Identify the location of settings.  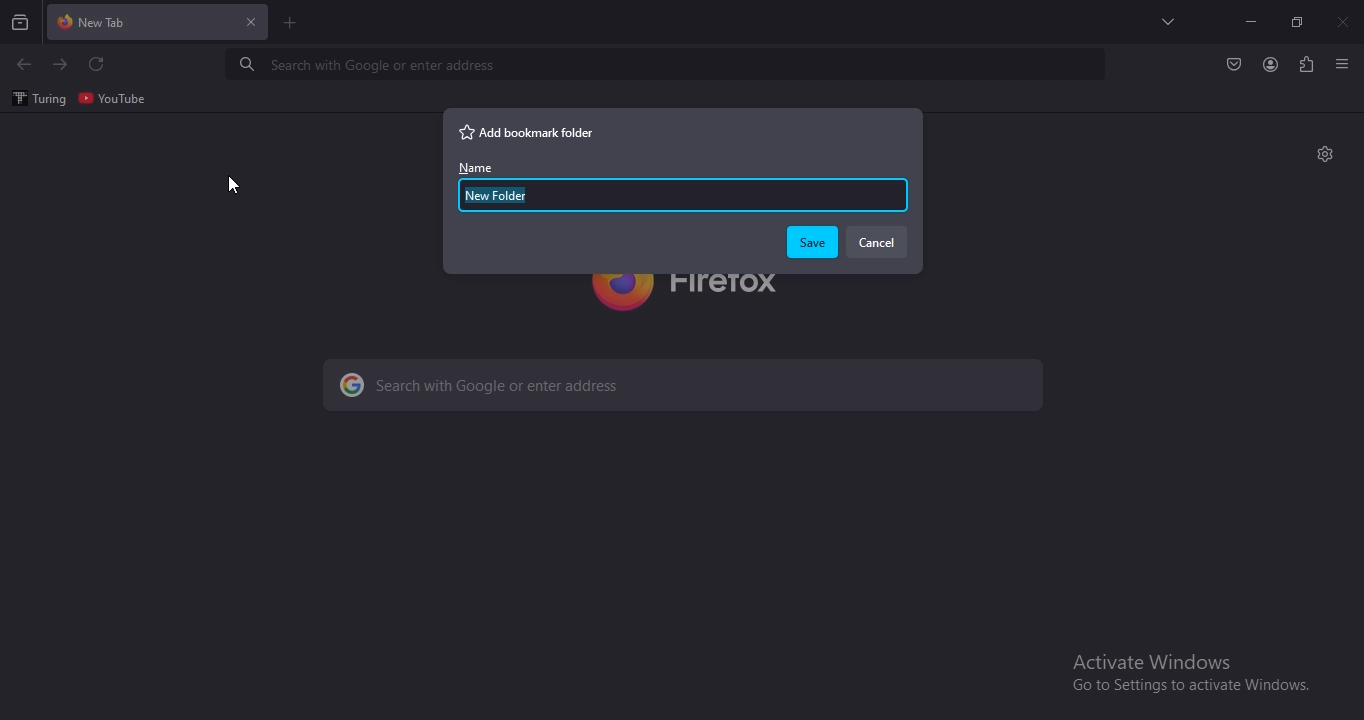
(1325, 152).